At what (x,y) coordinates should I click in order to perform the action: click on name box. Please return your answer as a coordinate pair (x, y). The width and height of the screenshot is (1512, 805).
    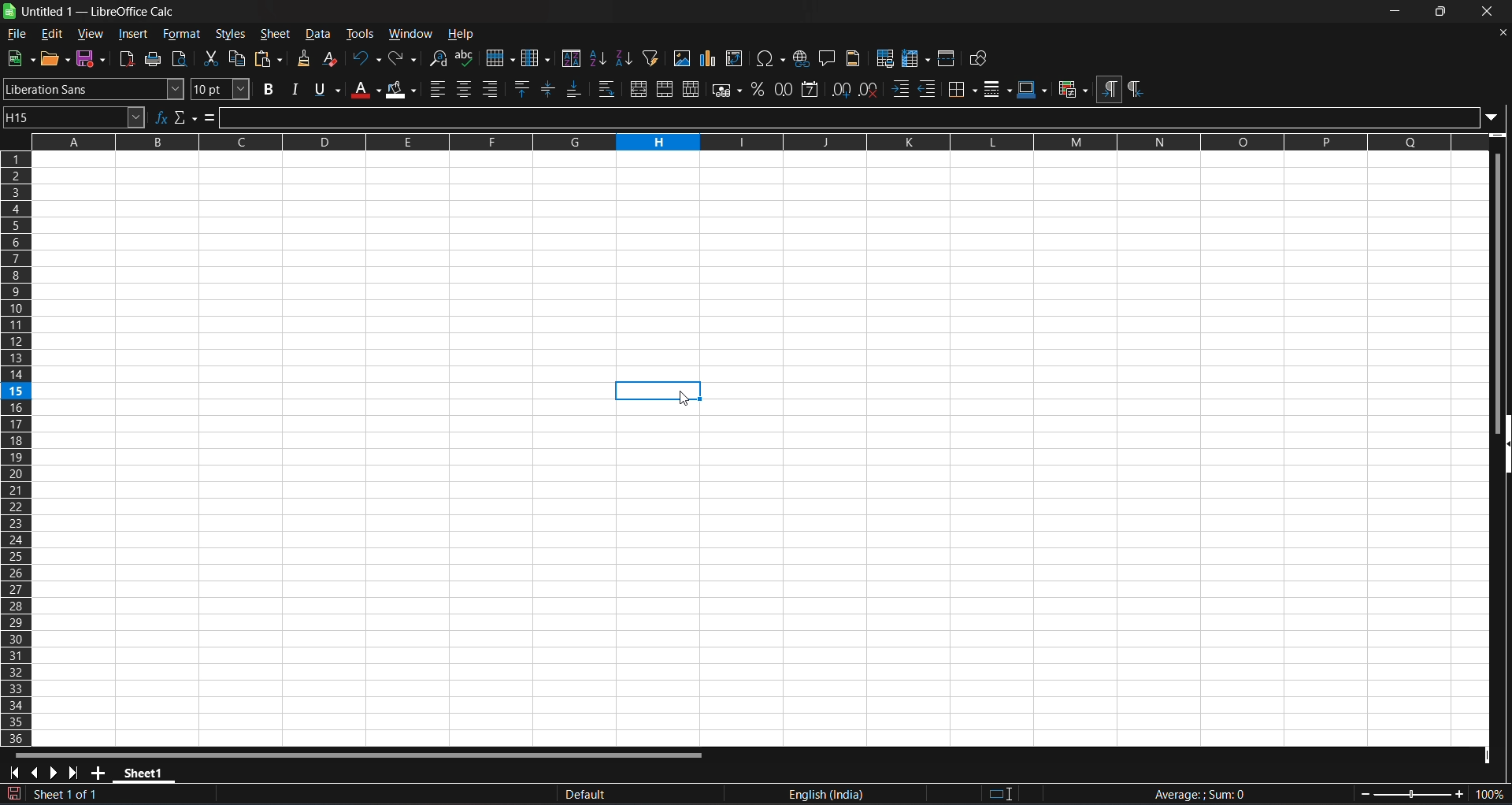
    Looking at the image, I should click on (75, 117).